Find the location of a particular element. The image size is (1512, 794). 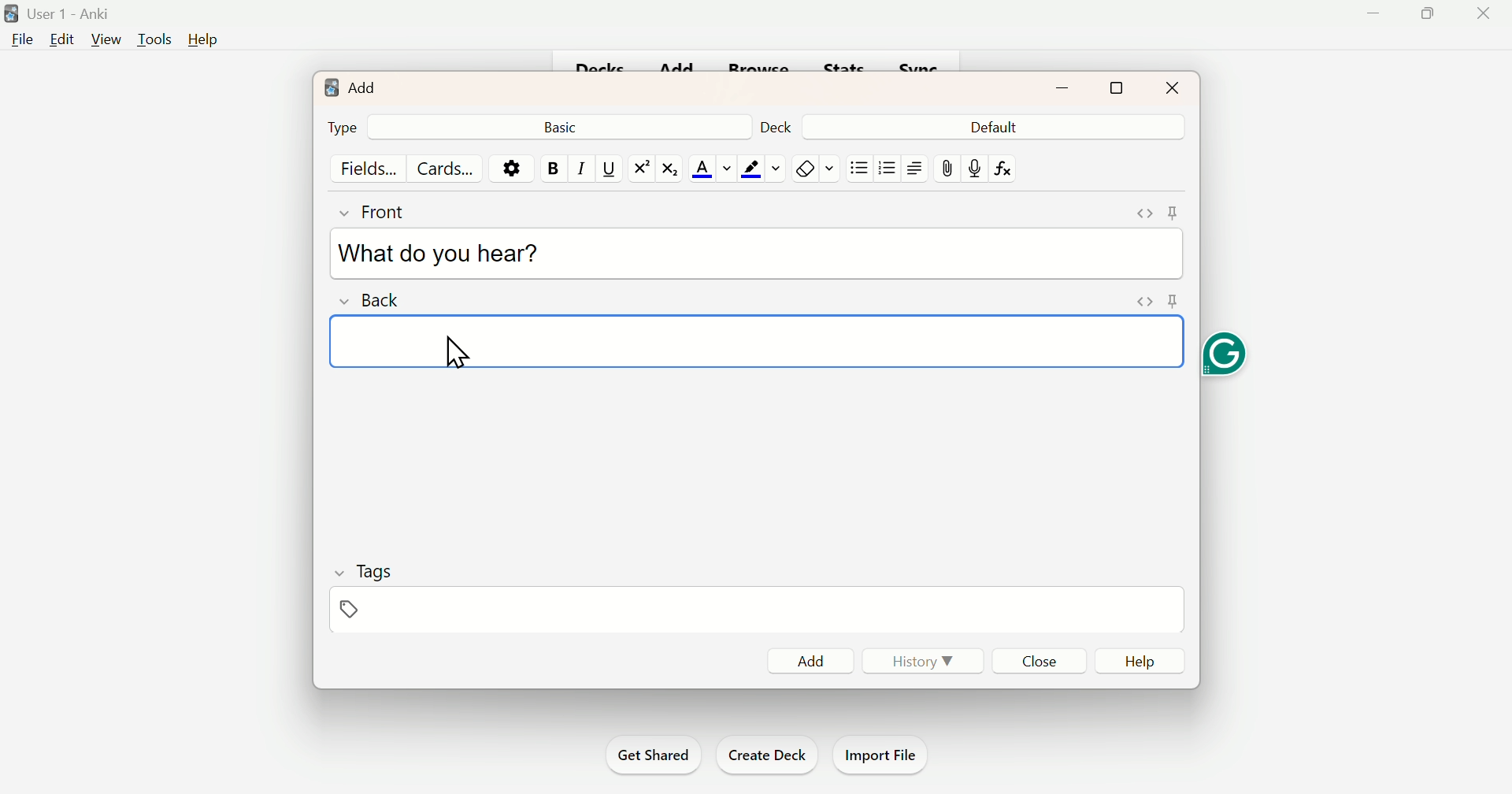

Fields... is located at coordinates (372, 169).